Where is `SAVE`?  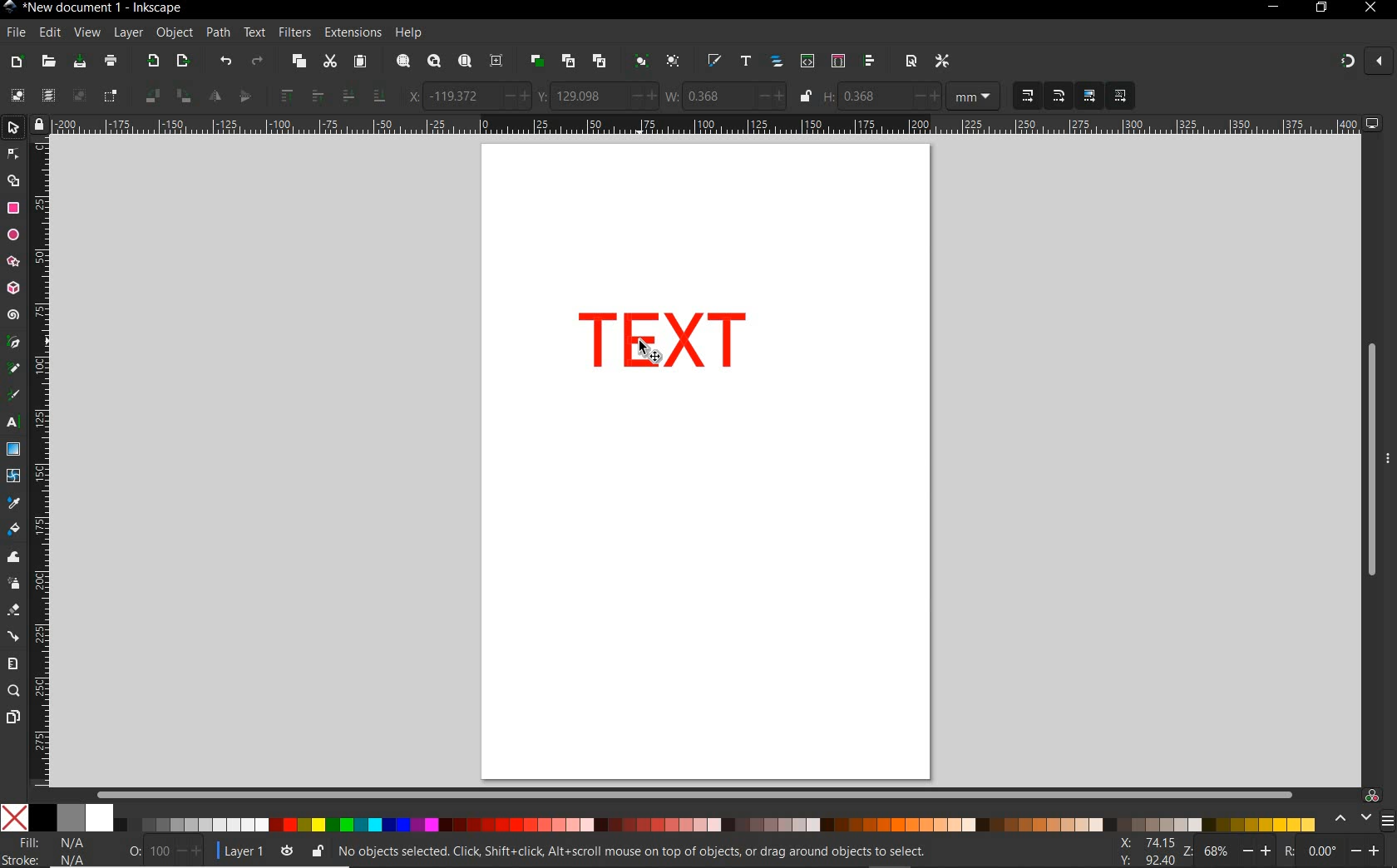 SAVE is located at coordinates (78, 62).